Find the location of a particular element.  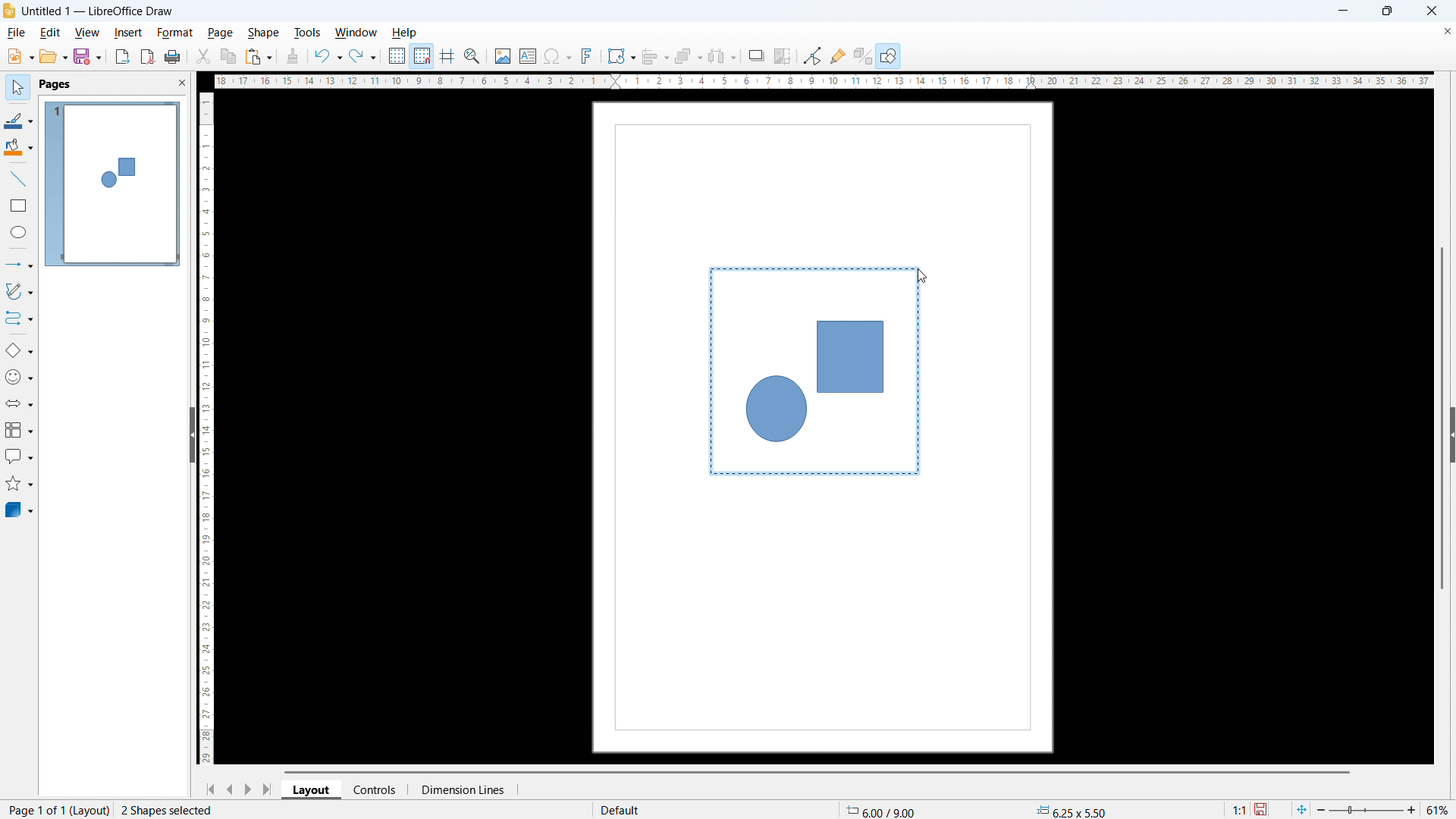

snap to grid is located at coordinates (422, 55).